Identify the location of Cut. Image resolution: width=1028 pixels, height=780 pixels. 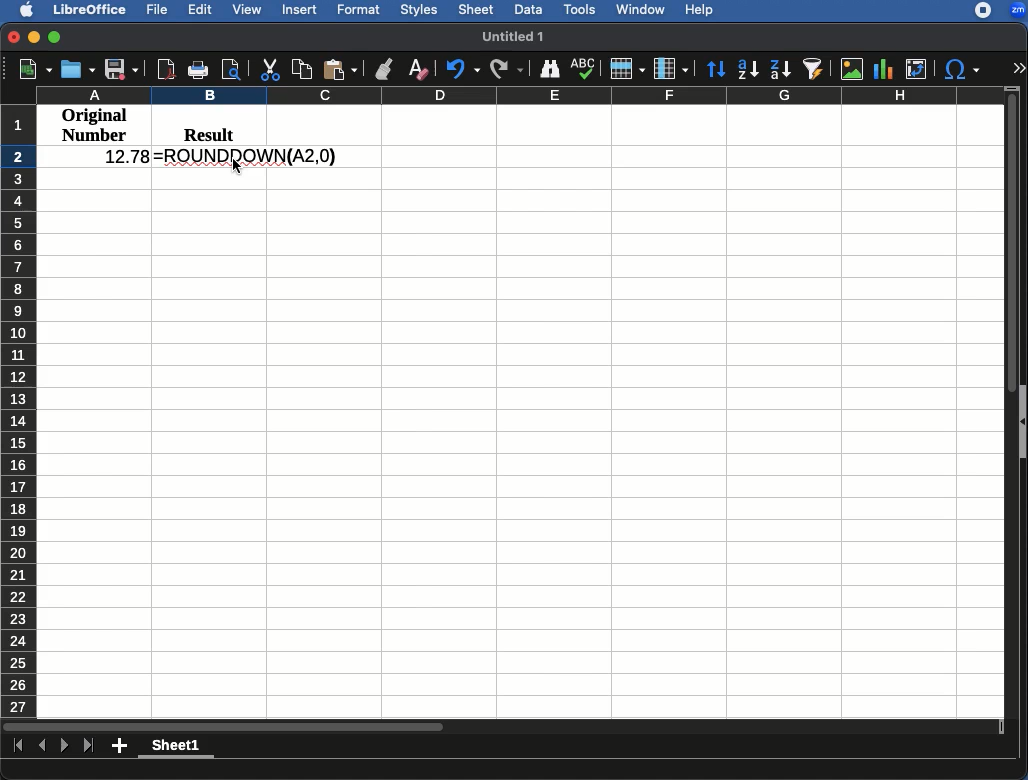
(267, 69).